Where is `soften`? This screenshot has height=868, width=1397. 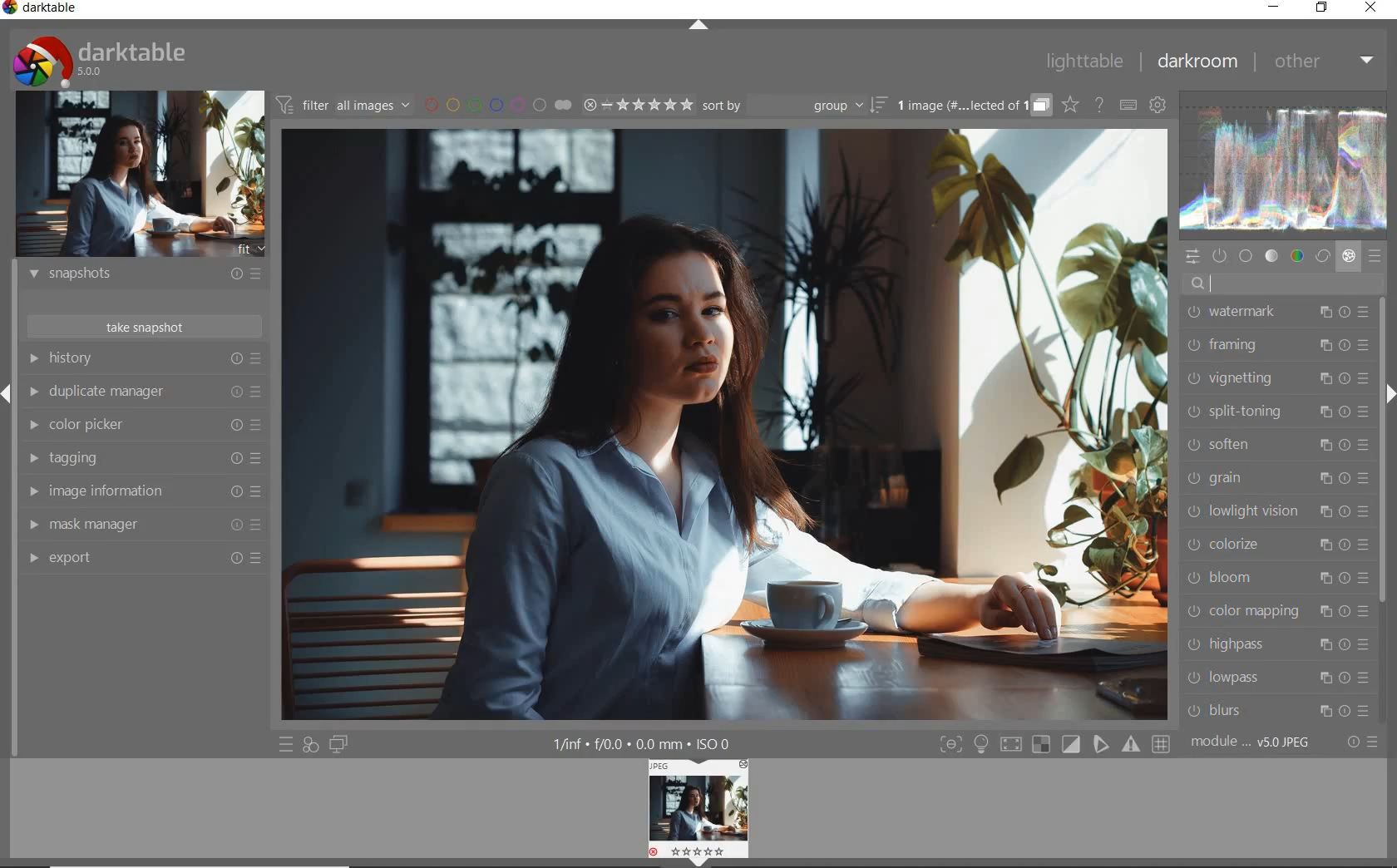
soften is located at coordinates (1278, 445).